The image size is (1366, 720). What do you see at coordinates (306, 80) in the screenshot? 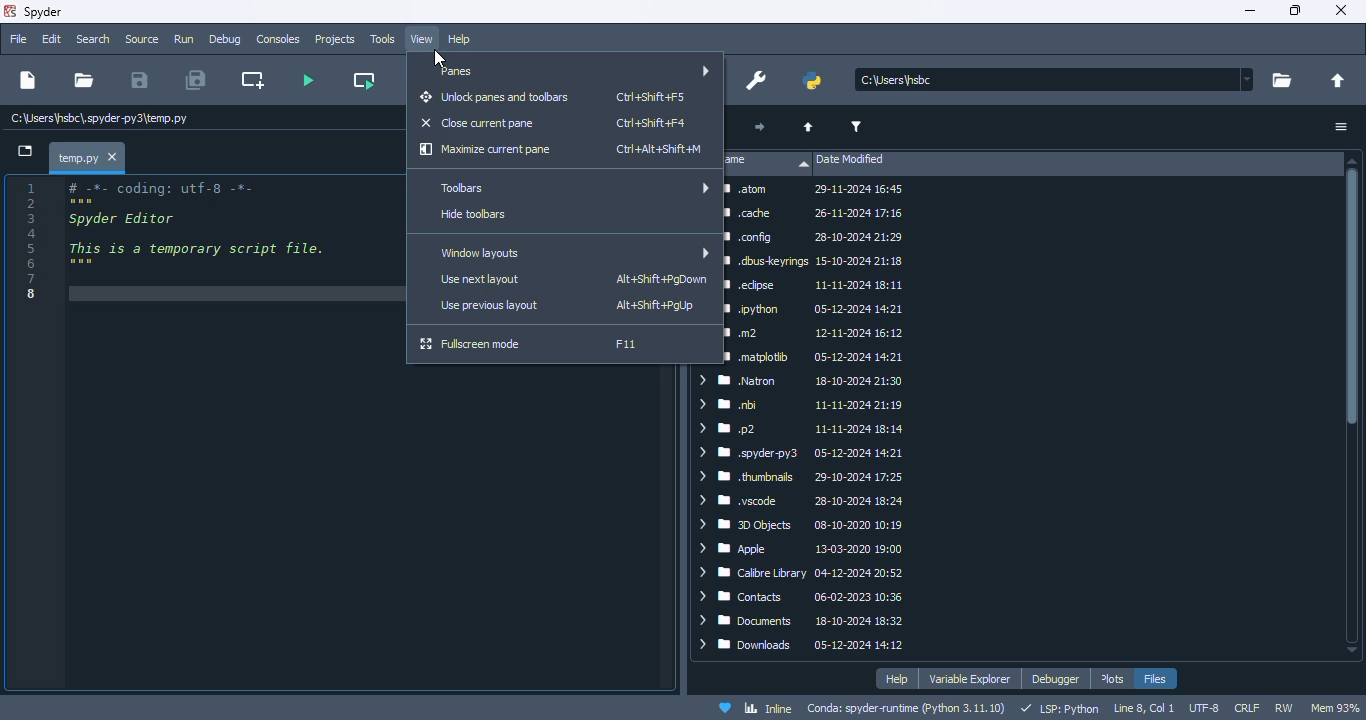
I see `run file` at bounding box center [306, 80].